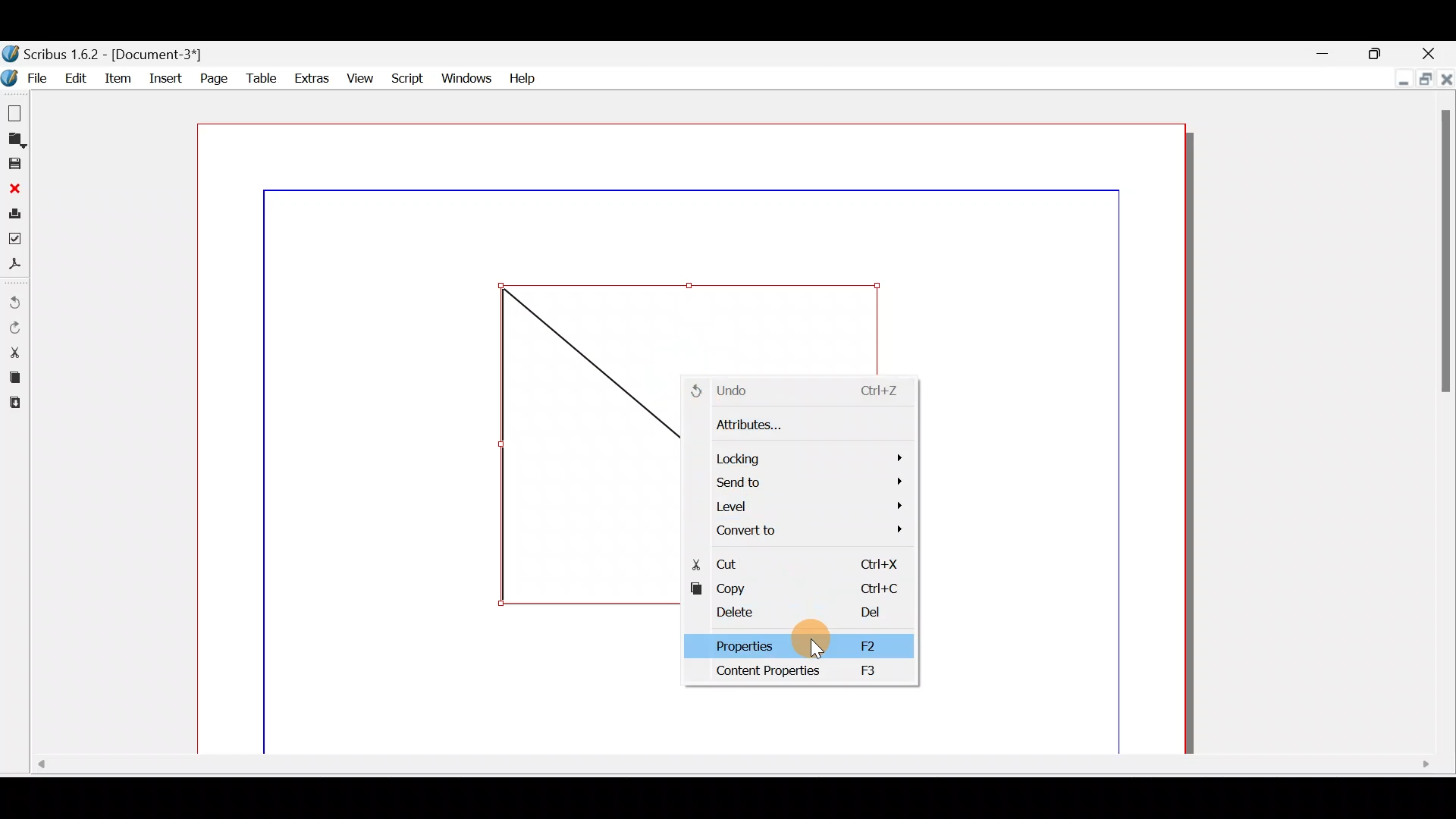 Image resolution: width=1456 pixels, height=819 pixels. I want to click on Save as PDF, so click(17, 263).